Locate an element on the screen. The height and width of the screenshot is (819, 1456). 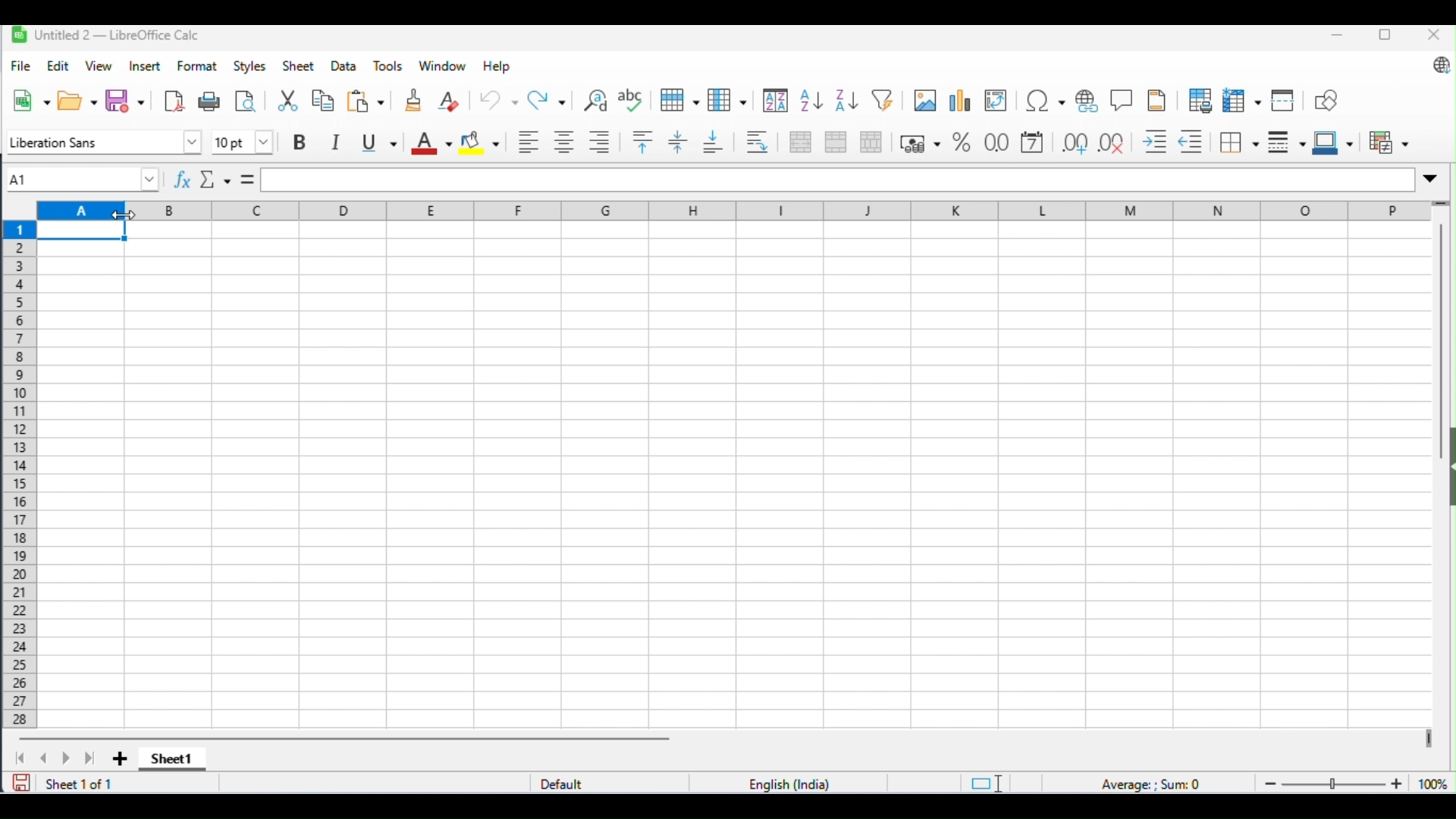
decrease indent is located at coordinates (1195, 142).